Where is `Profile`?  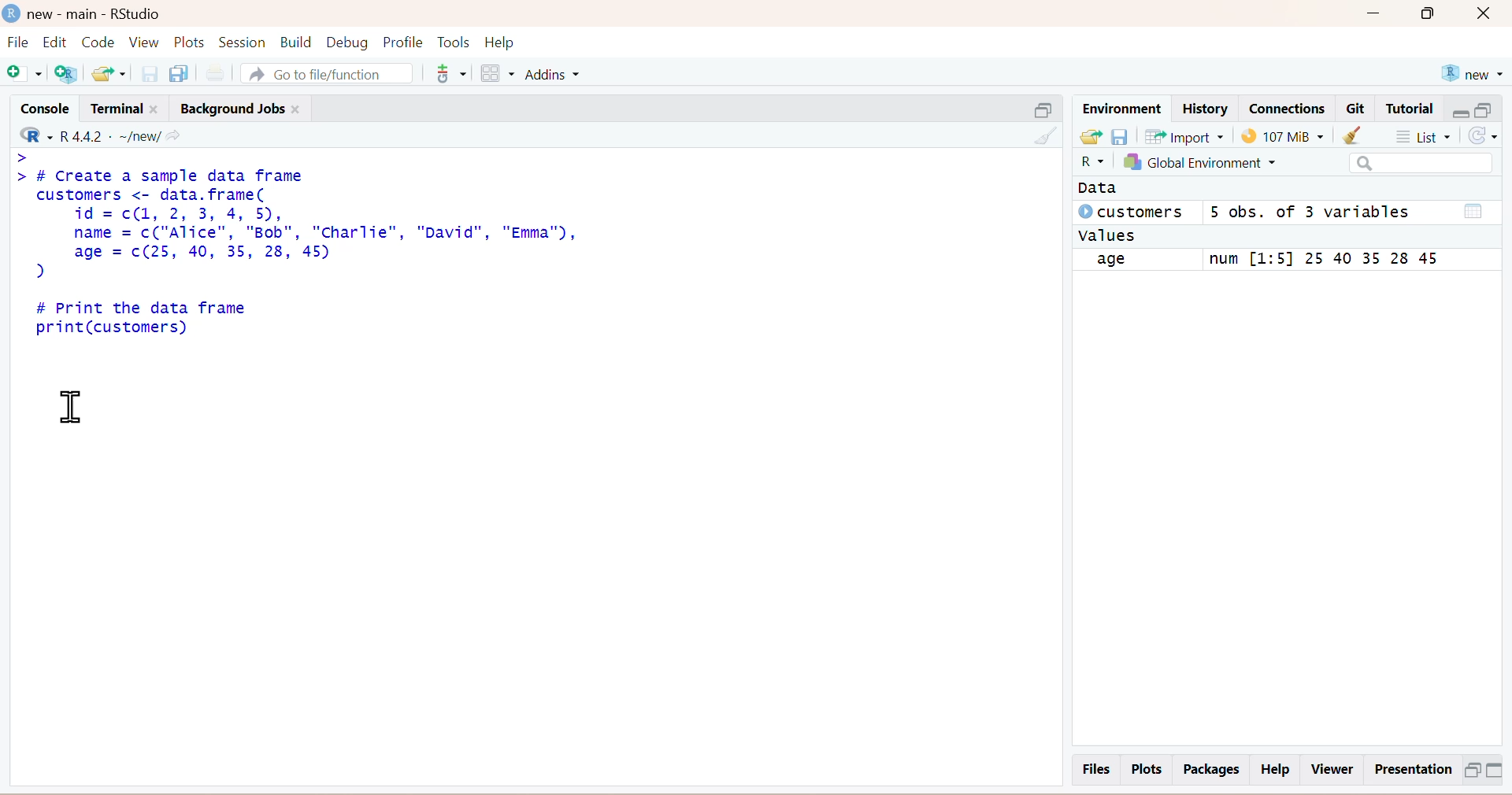
Profile is located at coordinates (401, 42).